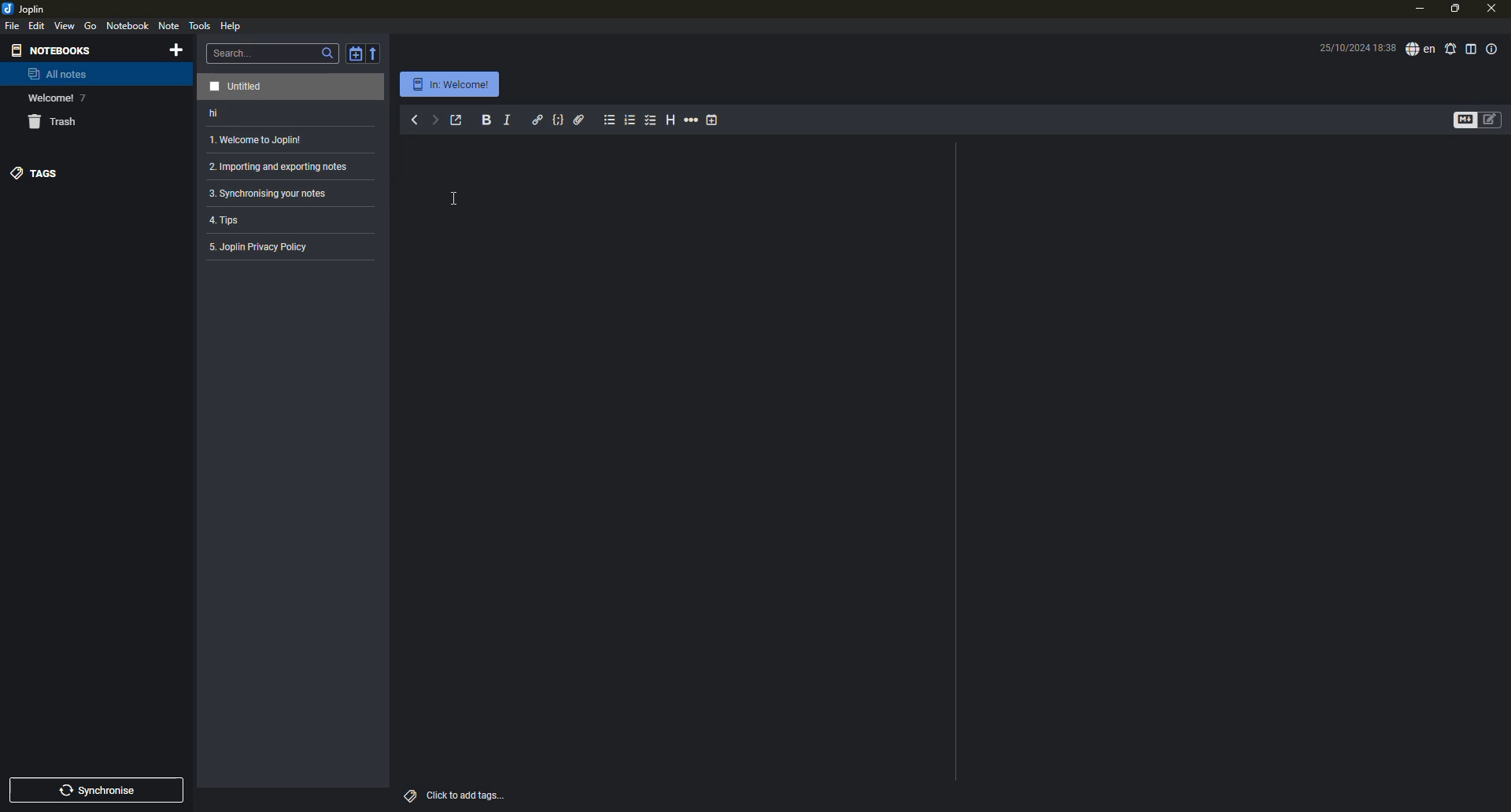 This screenshot has height=812, width=1511. What do you see at coordinates (91, 26) in the screenshot?
I see `go` at bounding box center [91, 26].